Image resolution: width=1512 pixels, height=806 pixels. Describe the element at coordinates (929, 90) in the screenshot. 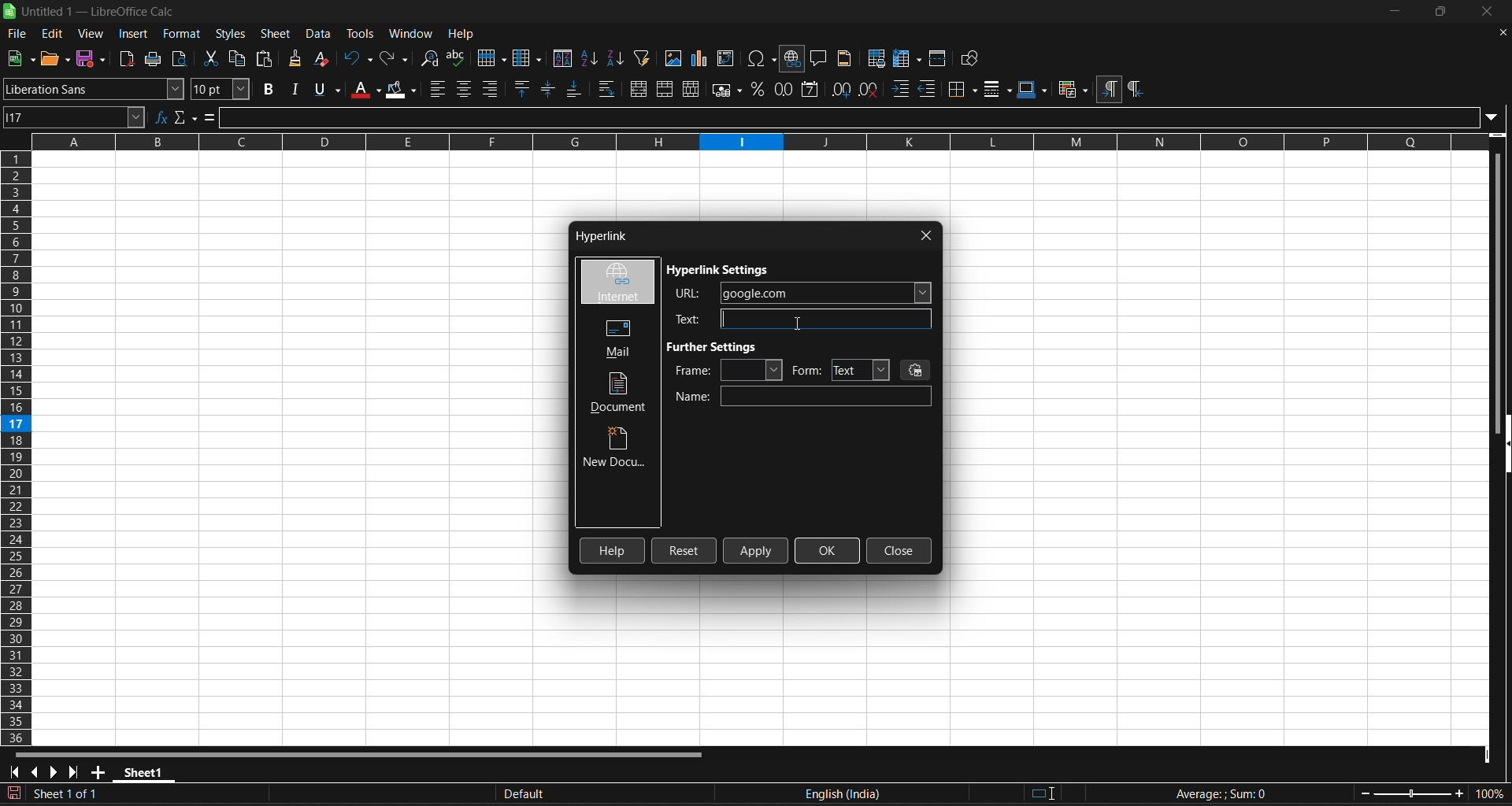

I see `decrease indent` at that location.